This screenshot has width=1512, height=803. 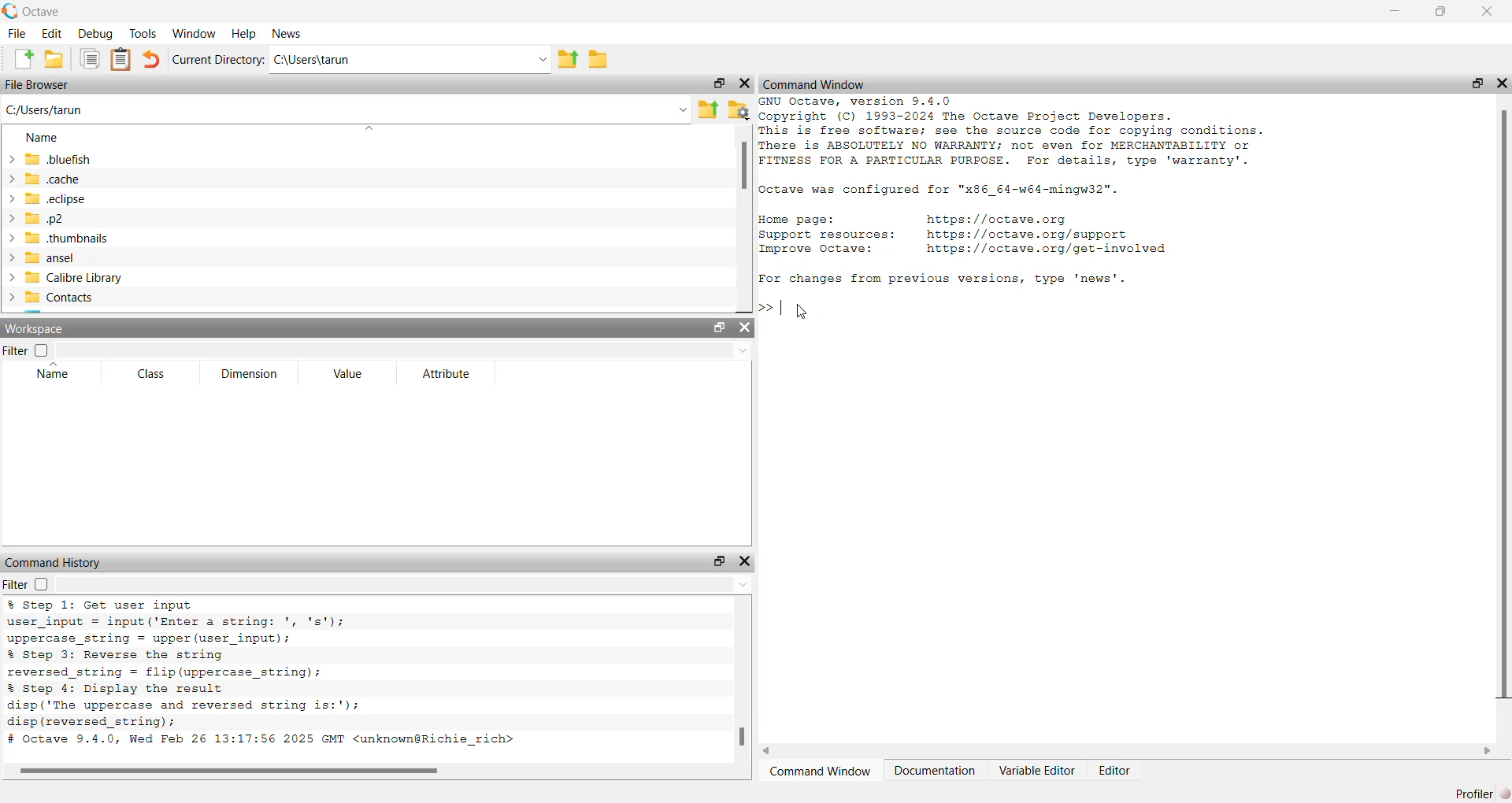 What do you see at coordinates (800, 313) in the screenshot?
I see `cursor` at bounding box center [800, 313].